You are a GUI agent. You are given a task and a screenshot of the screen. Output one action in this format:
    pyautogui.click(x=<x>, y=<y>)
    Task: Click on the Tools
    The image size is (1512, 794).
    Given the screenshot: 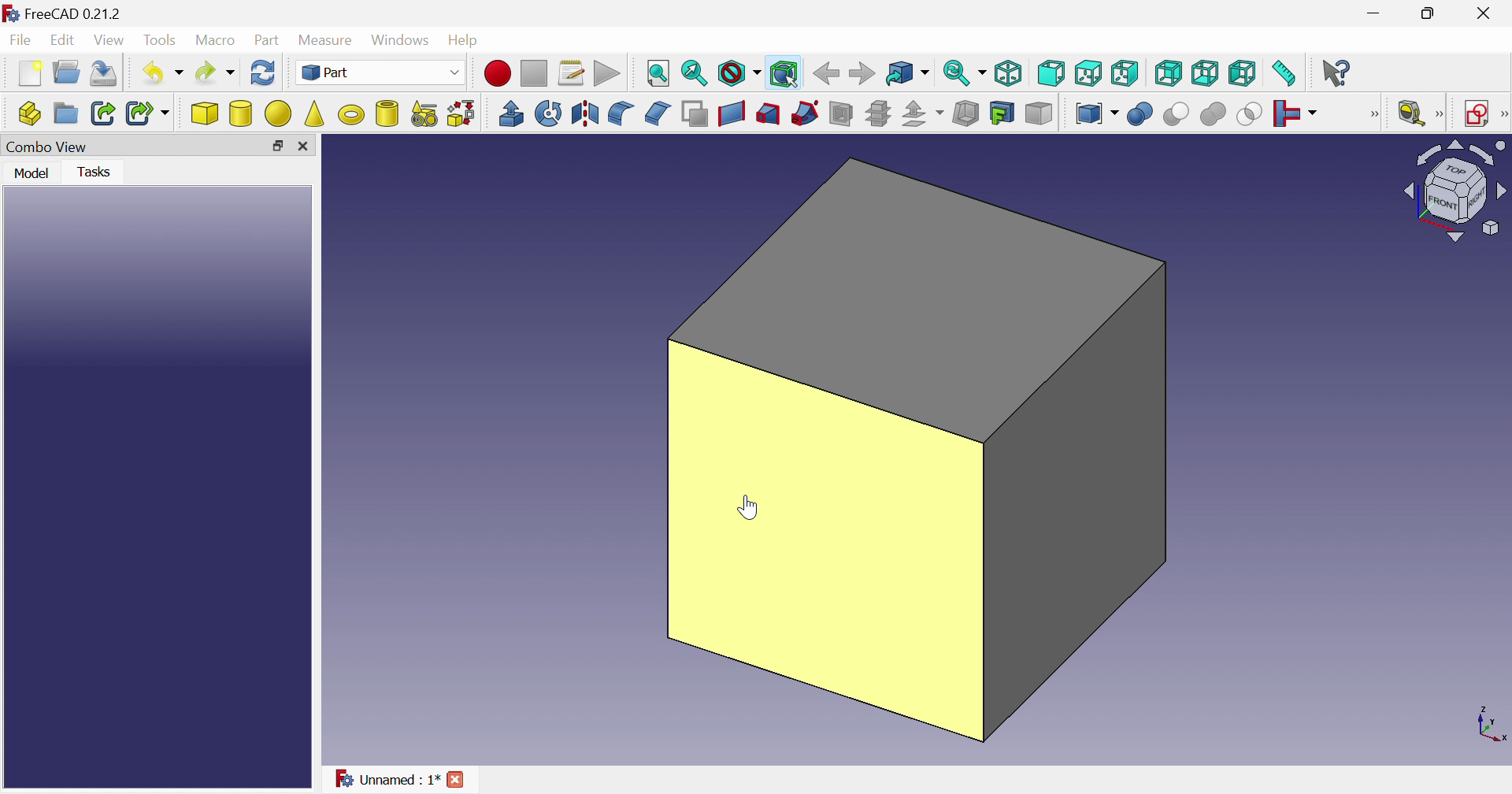 What is the action you would take?
    pyautogui.click(x=160, y=42)
    